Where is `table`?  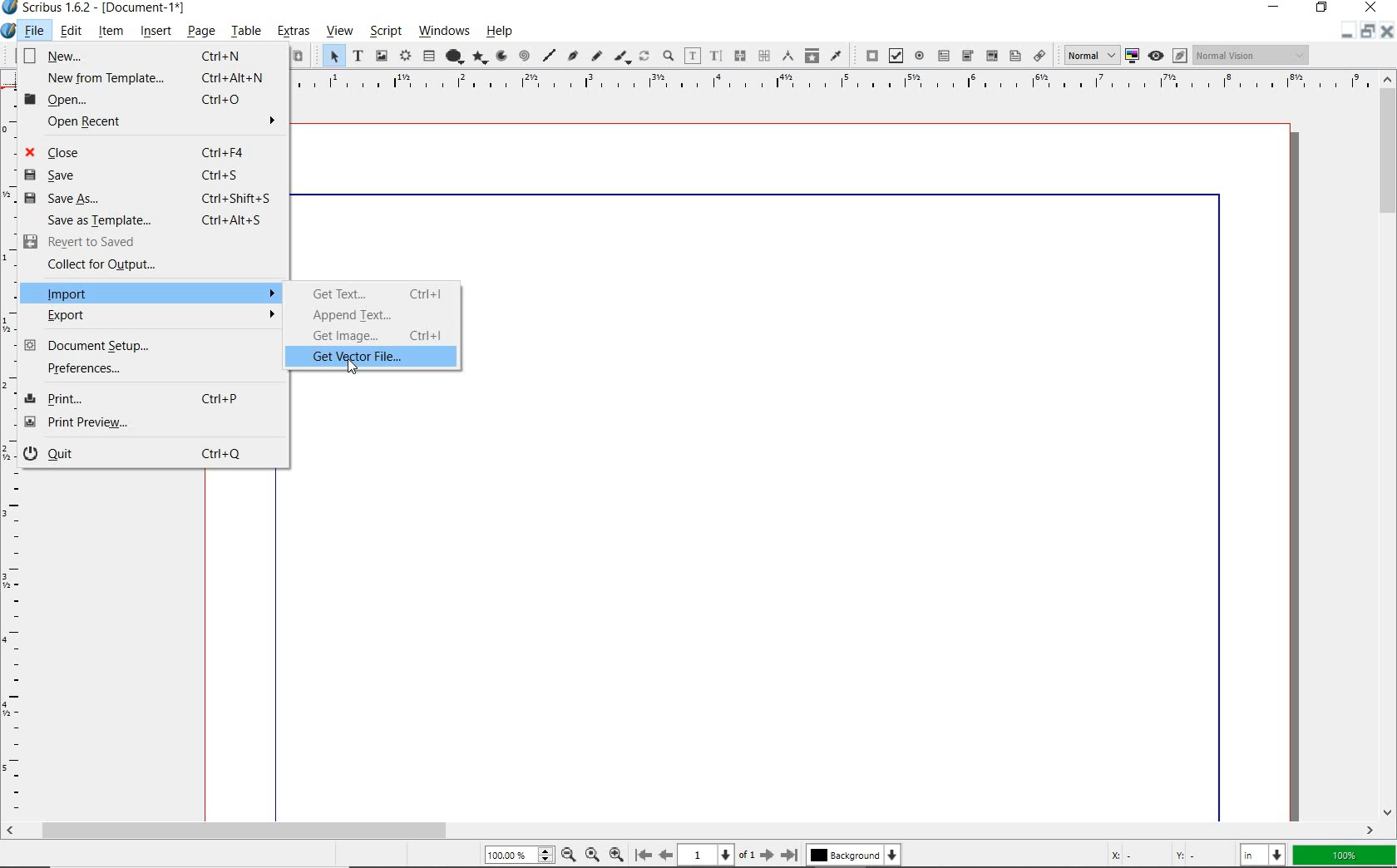
table is located at coordinates (427, 57).